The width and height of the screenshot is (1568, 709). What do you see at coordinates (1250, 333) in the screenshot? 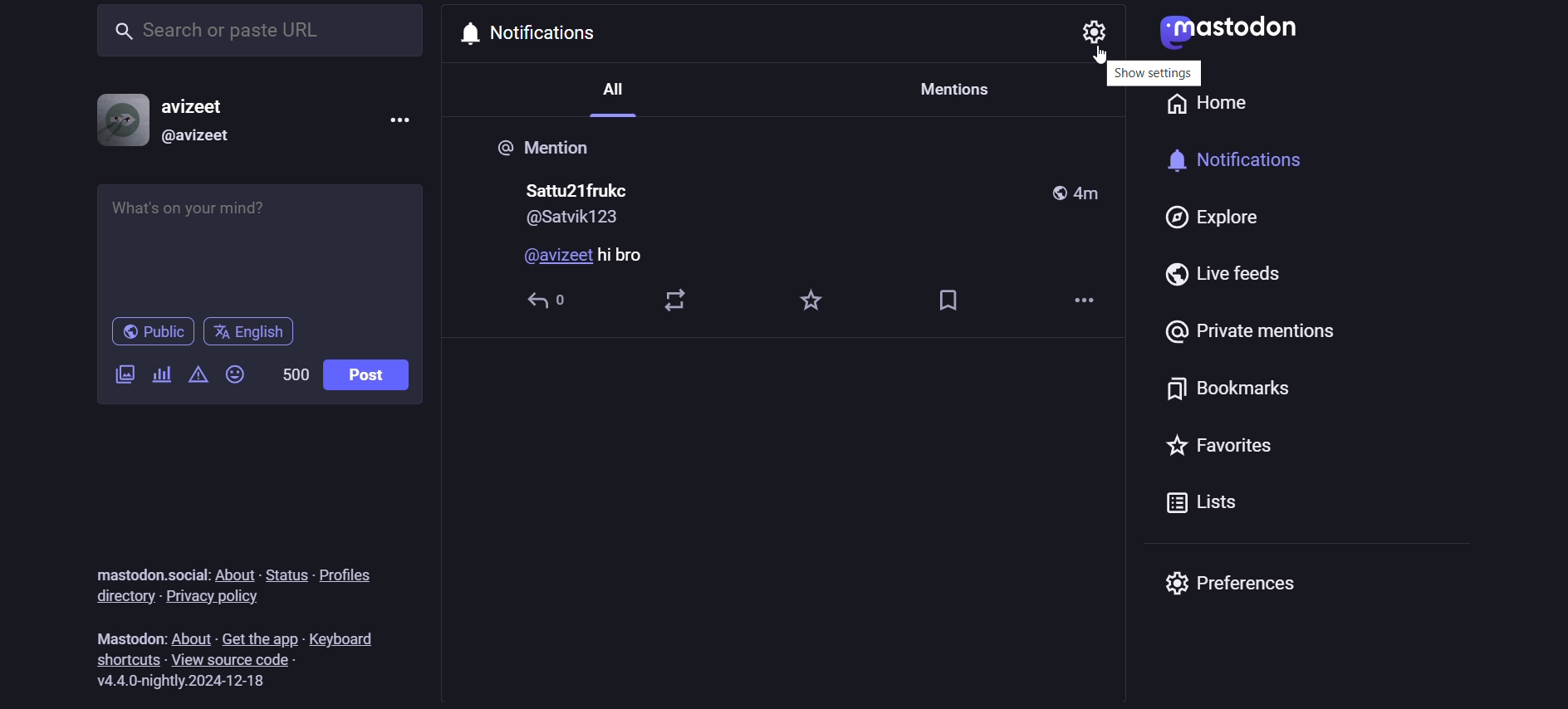
I see `private mentions` at bounding box center [1250, 333].